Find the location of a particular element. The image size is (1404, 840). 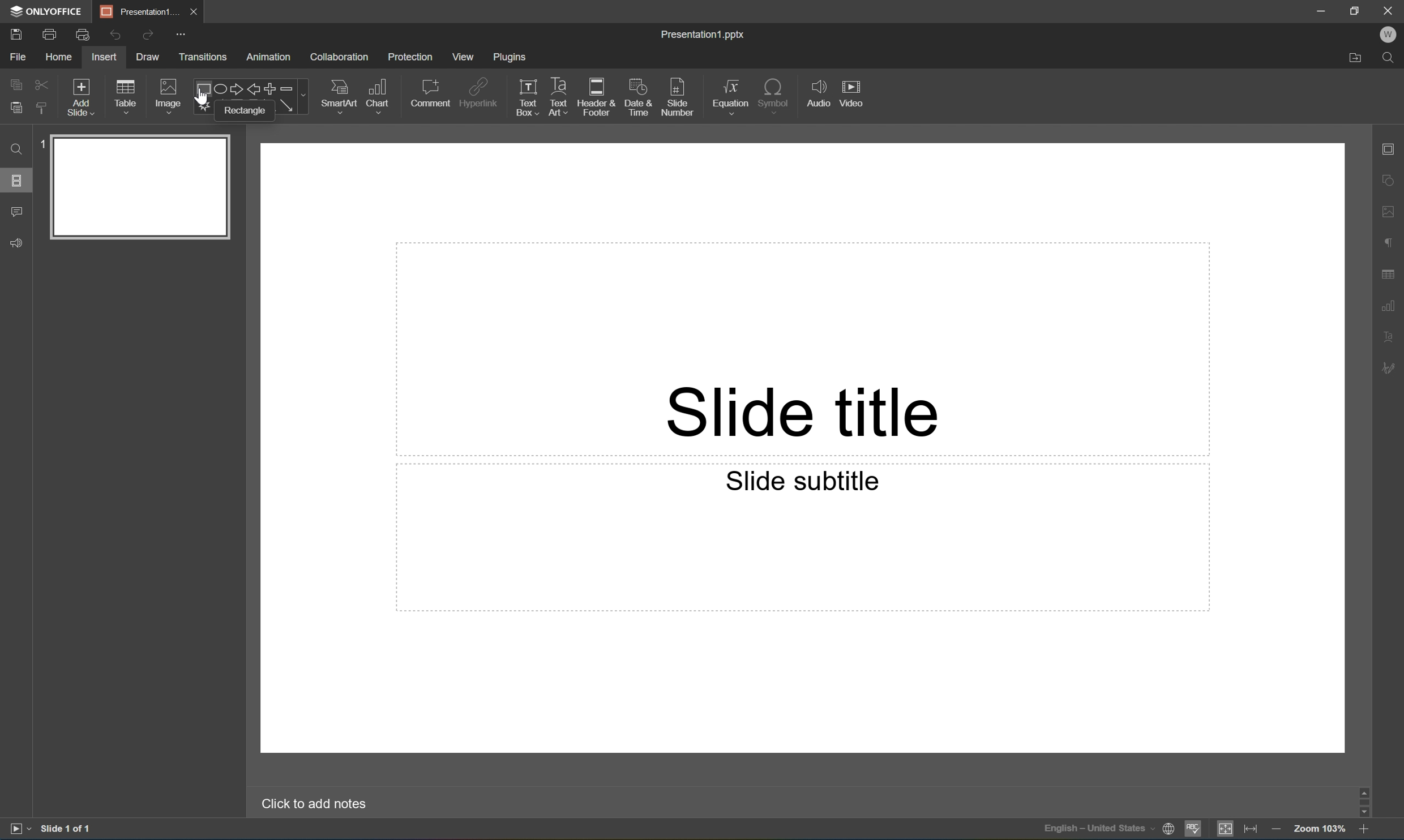

Rectangle is located at coordinates (201, 89).